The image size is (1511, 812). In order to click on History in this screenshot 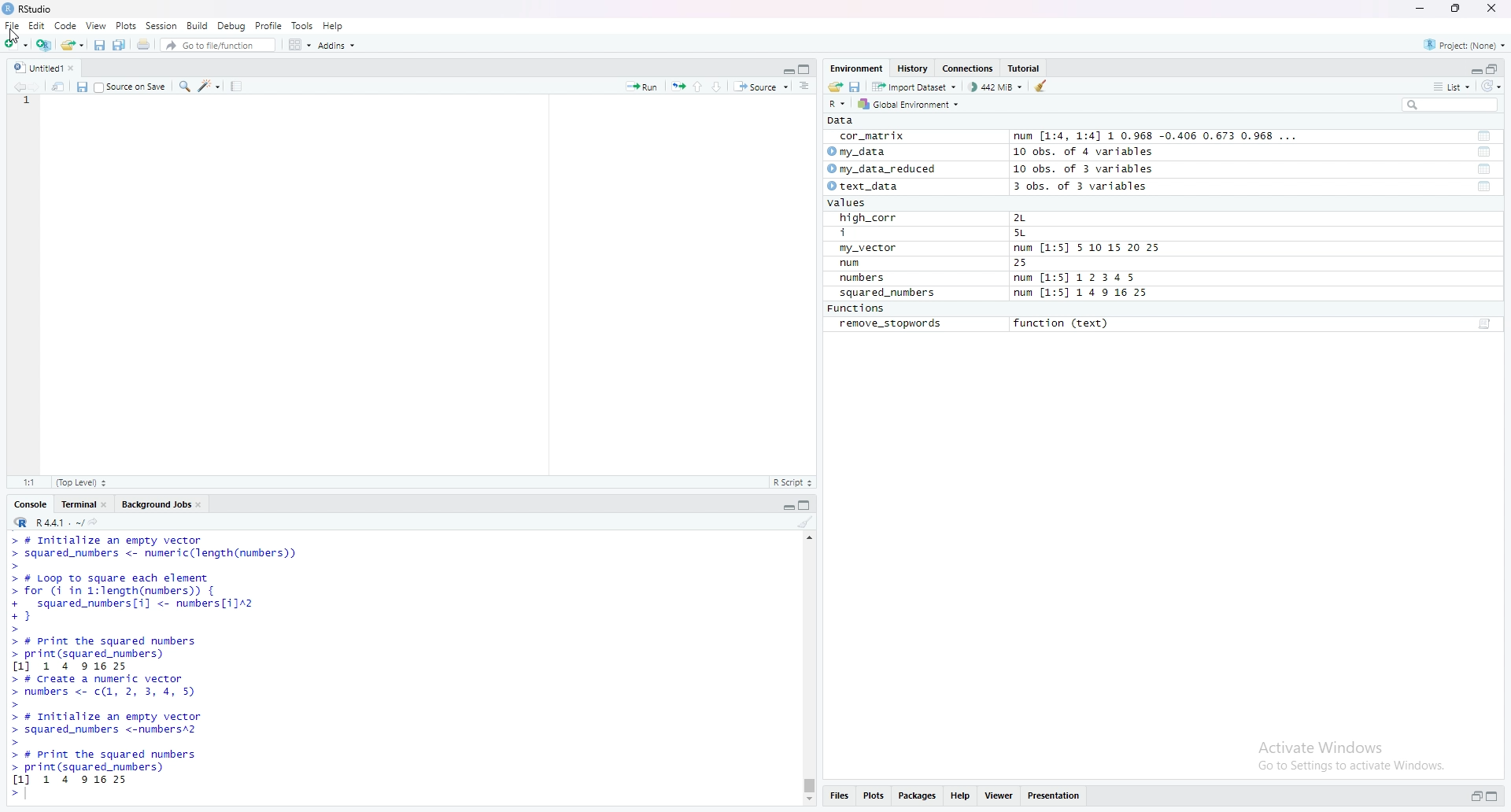, I will do `click(914, 68)`.